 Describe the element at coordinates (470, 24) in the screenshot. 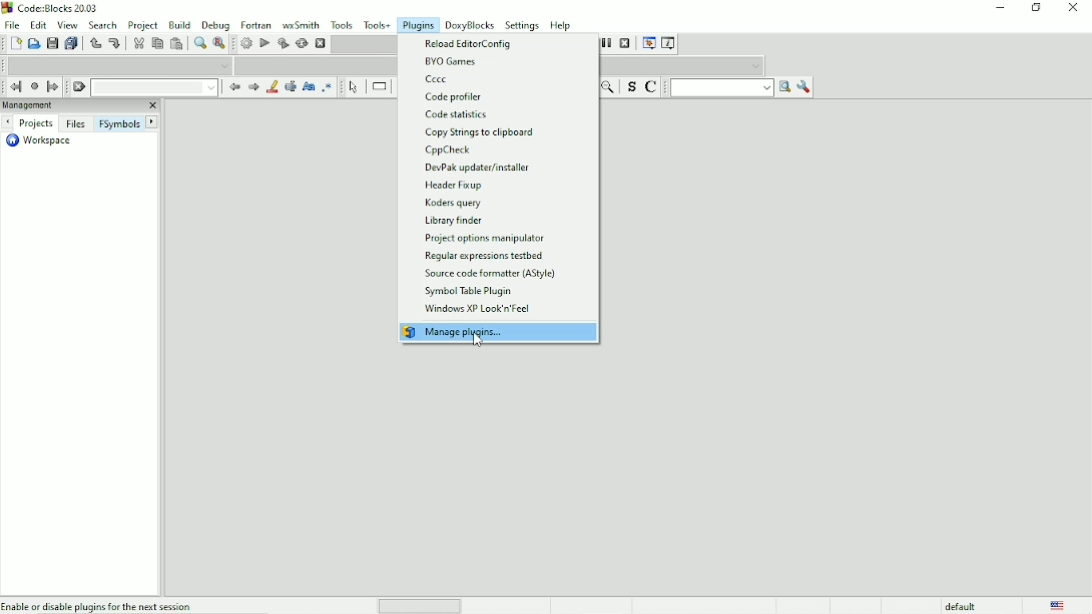

I see `DoxyBlocks` at that location.